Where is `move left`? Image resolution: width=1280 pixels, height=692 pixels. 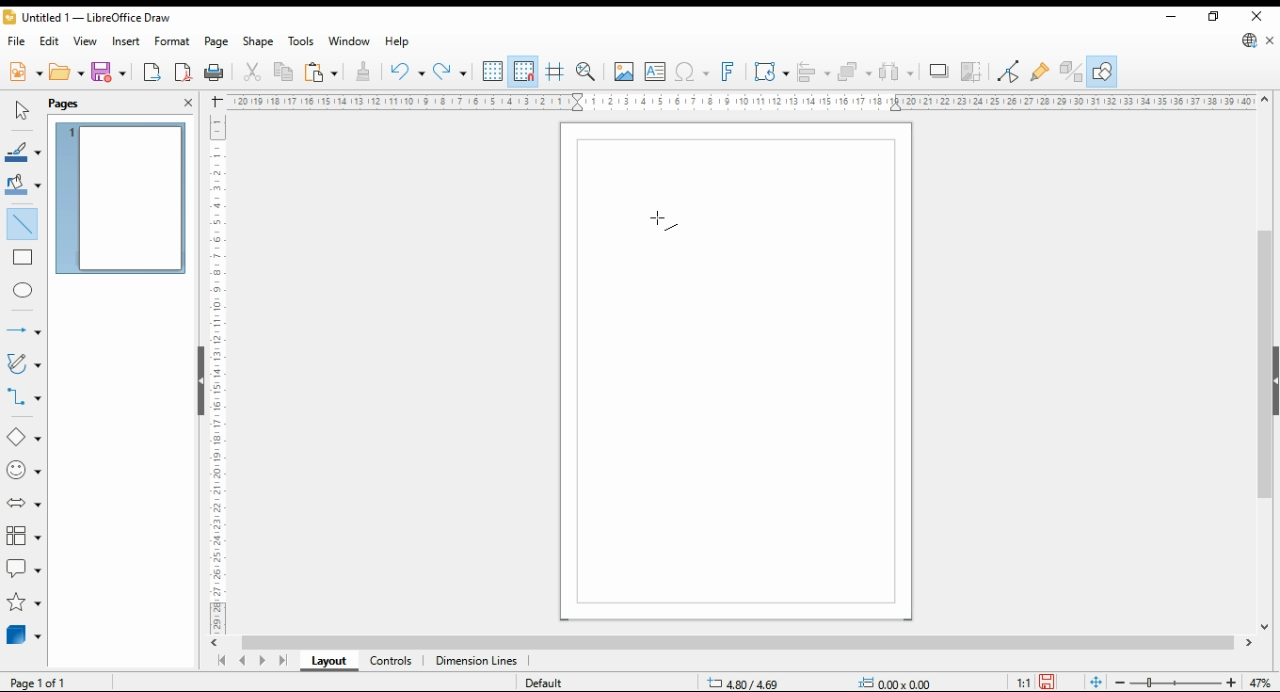 move left is located at coordinates (217, 643).